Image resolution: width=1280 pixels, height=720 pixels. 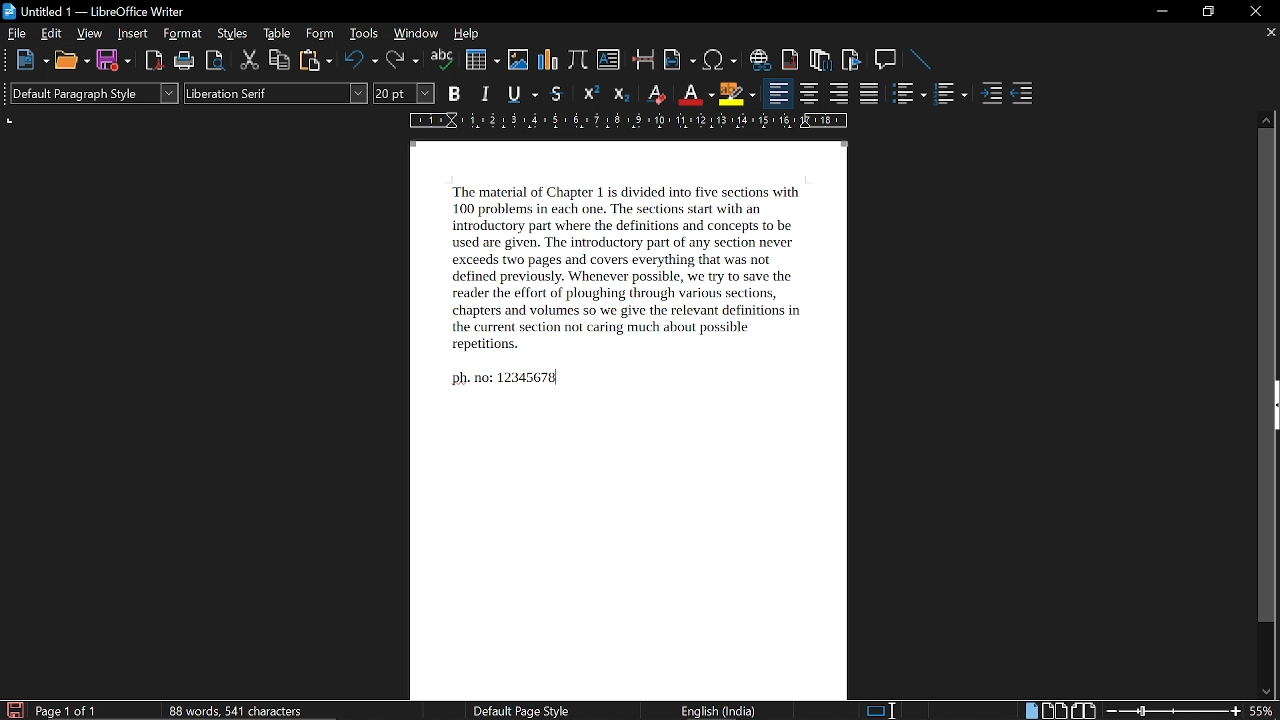 I want to click on 88 words, 541 characters, so click(x=235, y=710).